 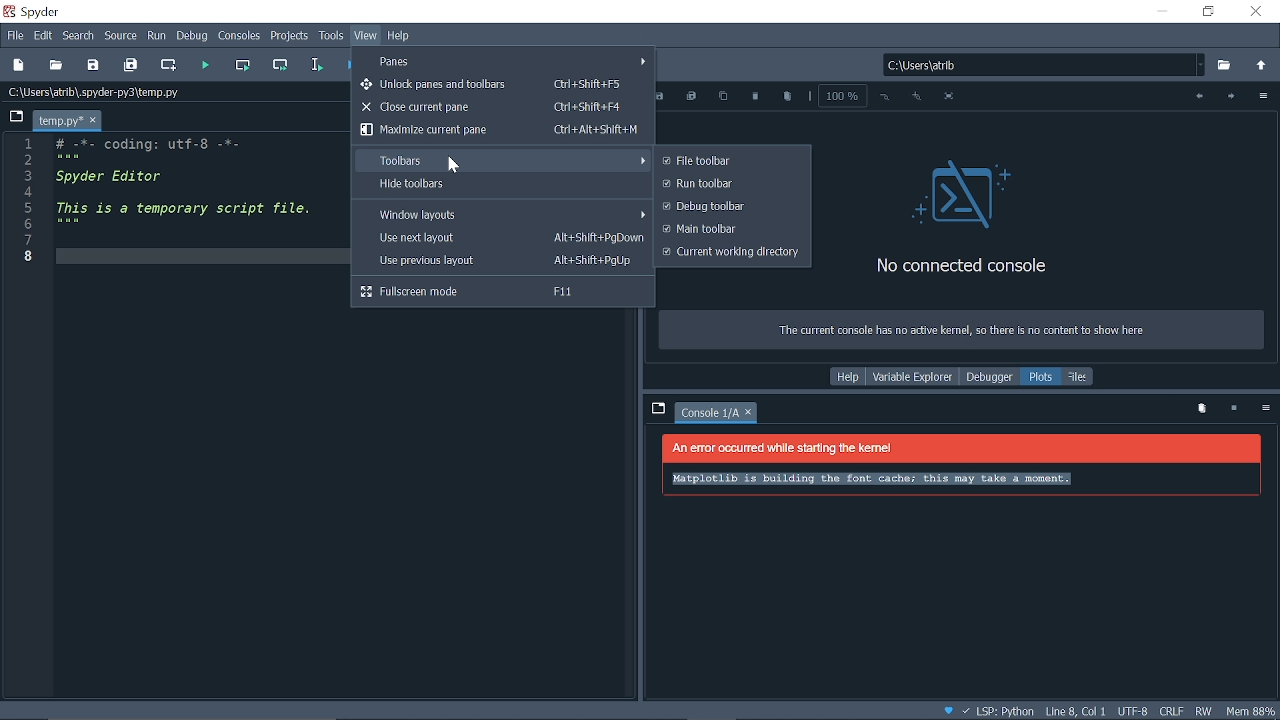 What do you see at coordinates (1258, 13) in the screenshot?
I see `Close` at bounding box center [1258, 13].